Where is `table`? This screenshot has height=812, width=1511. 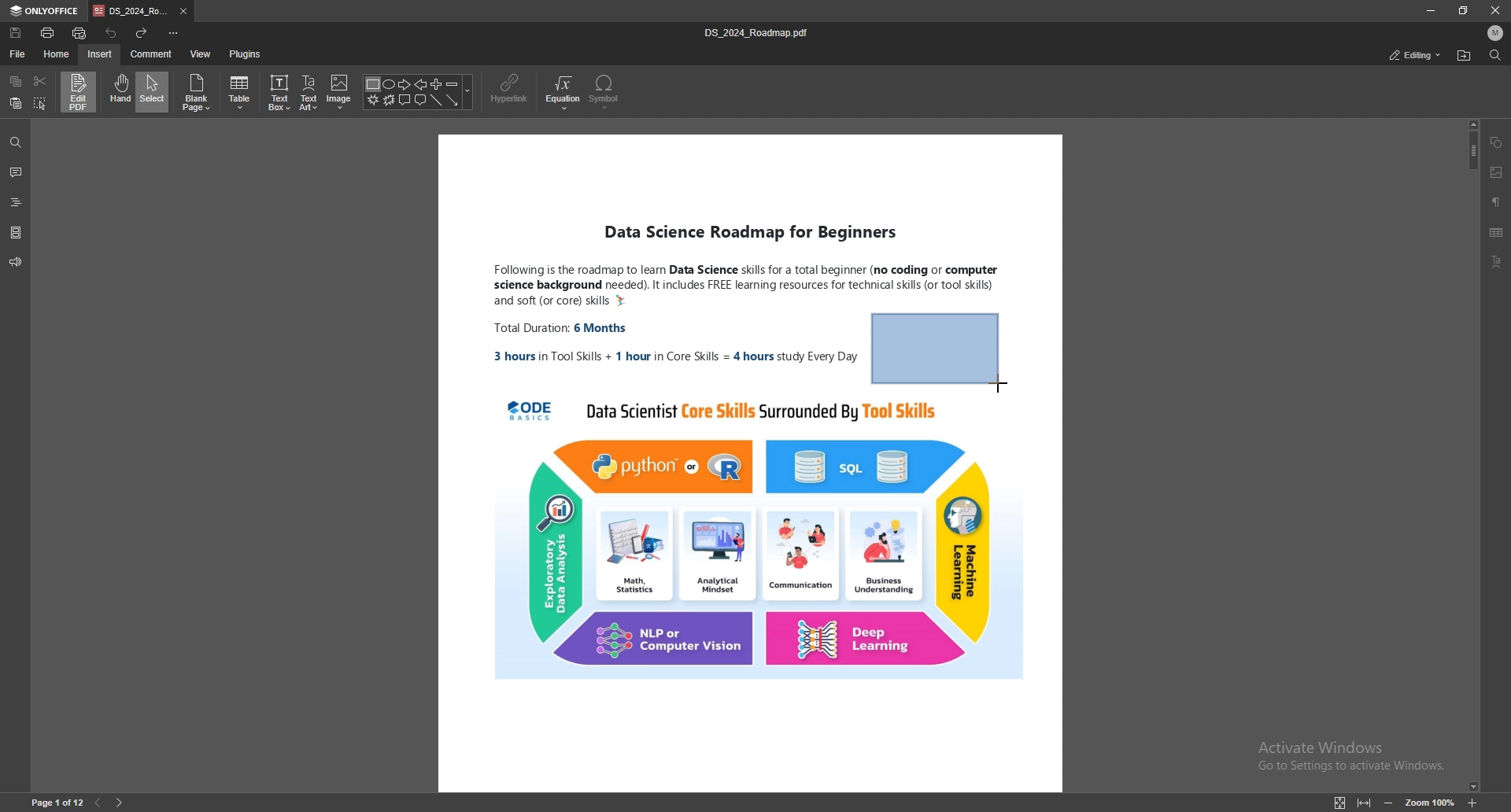 table is located at coordinates (1498, 233).